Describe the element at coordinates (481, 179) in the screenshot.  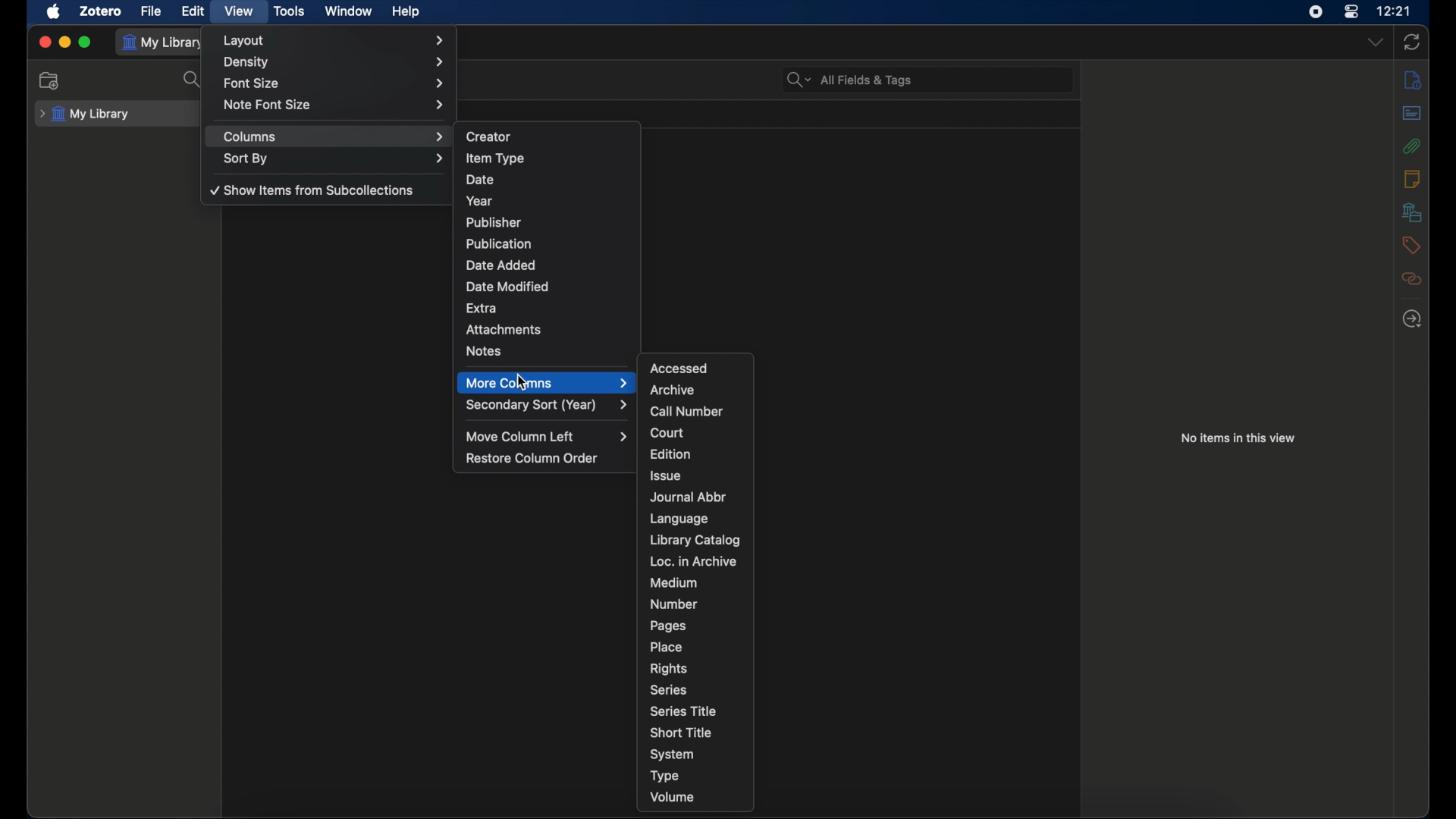
I see `date` at that location.